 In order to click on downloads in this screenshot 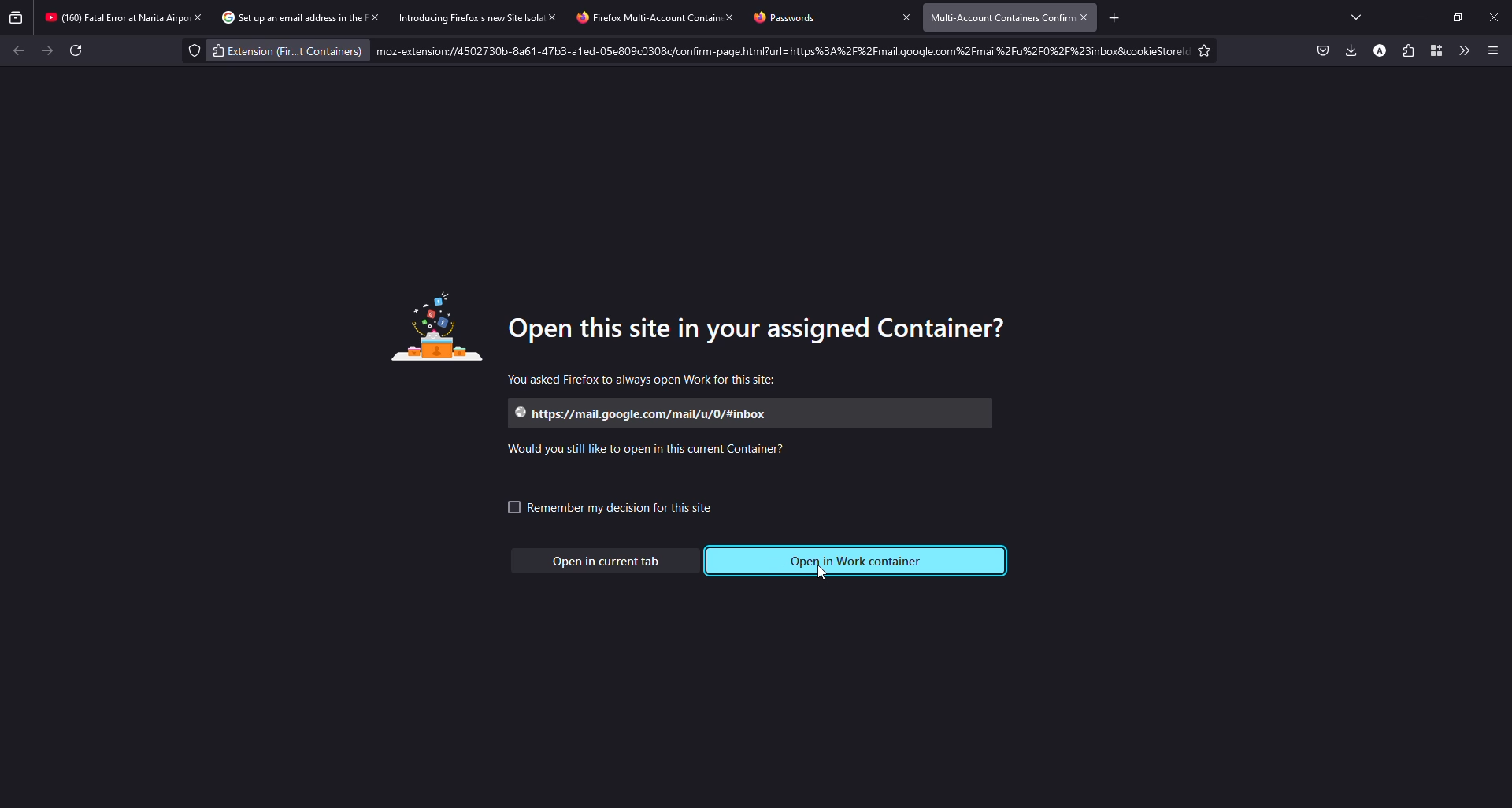, I will do `click(1349, 50)`.